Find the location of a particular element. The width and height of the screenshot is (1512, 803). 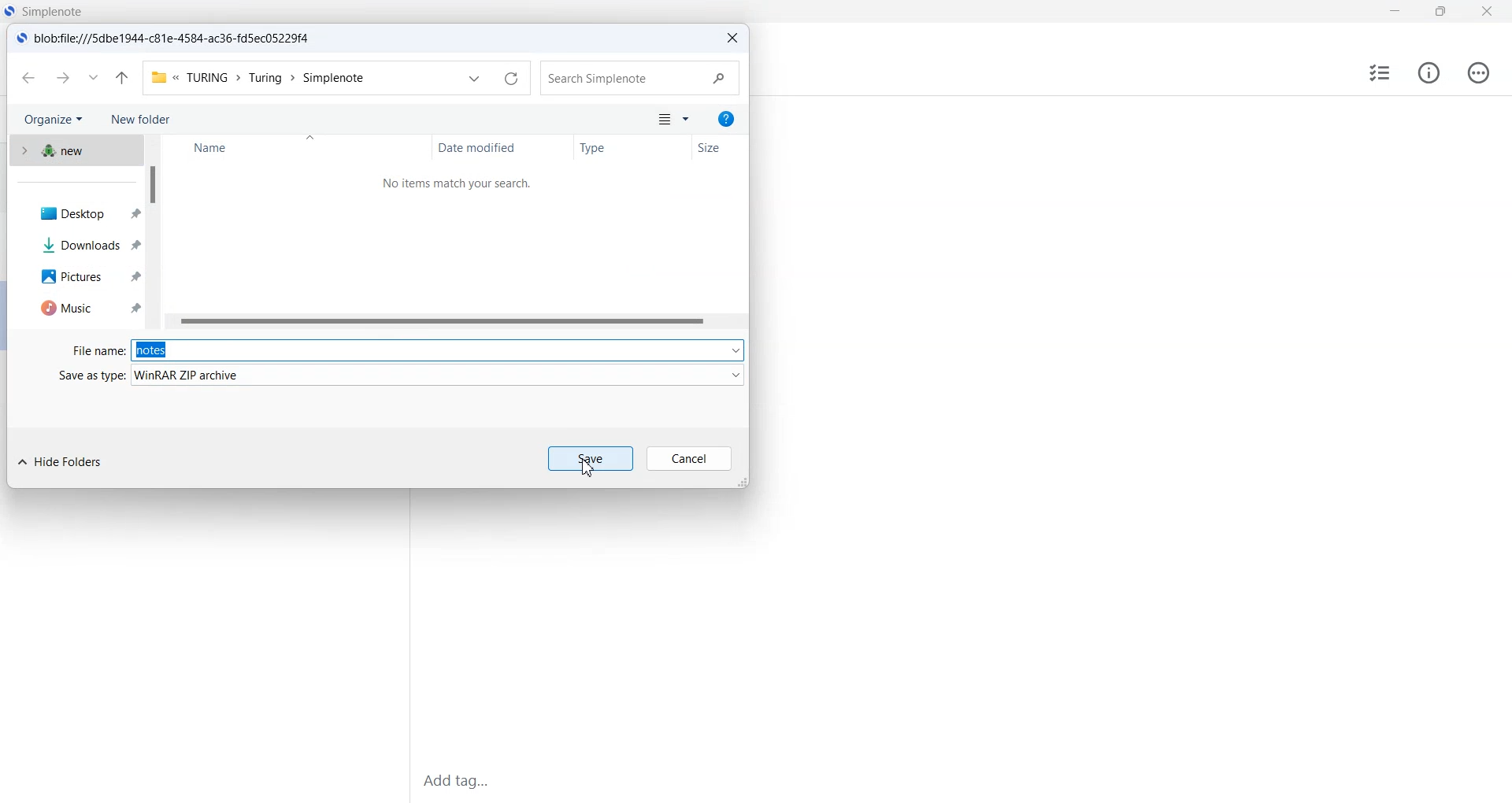

New folder is located at coordinates (140, 120).